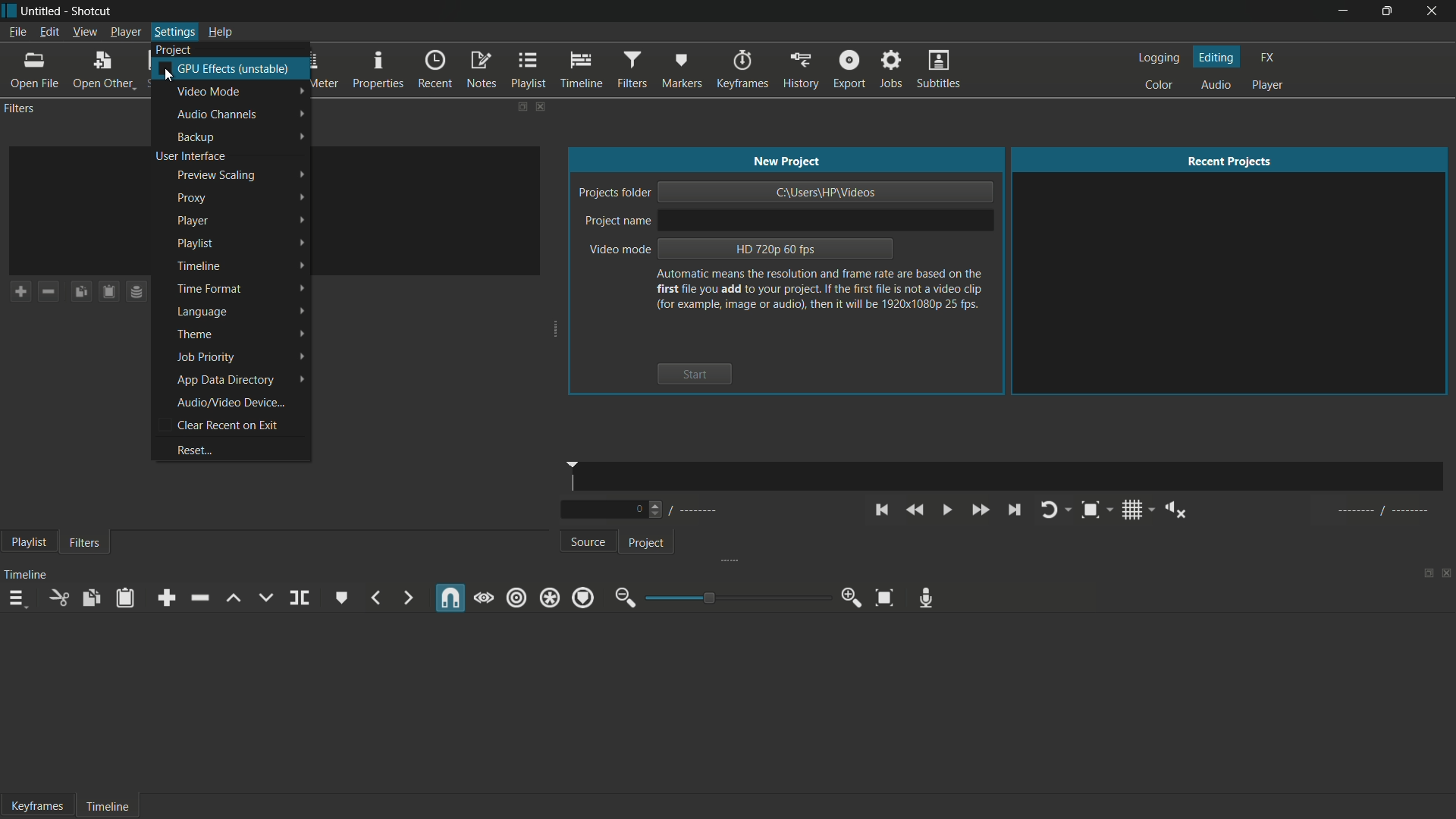 The image size is (1456, 819). Describe the element at coordinates (1014, 510) in the screenshot. I see `skip to the next point` at that location.